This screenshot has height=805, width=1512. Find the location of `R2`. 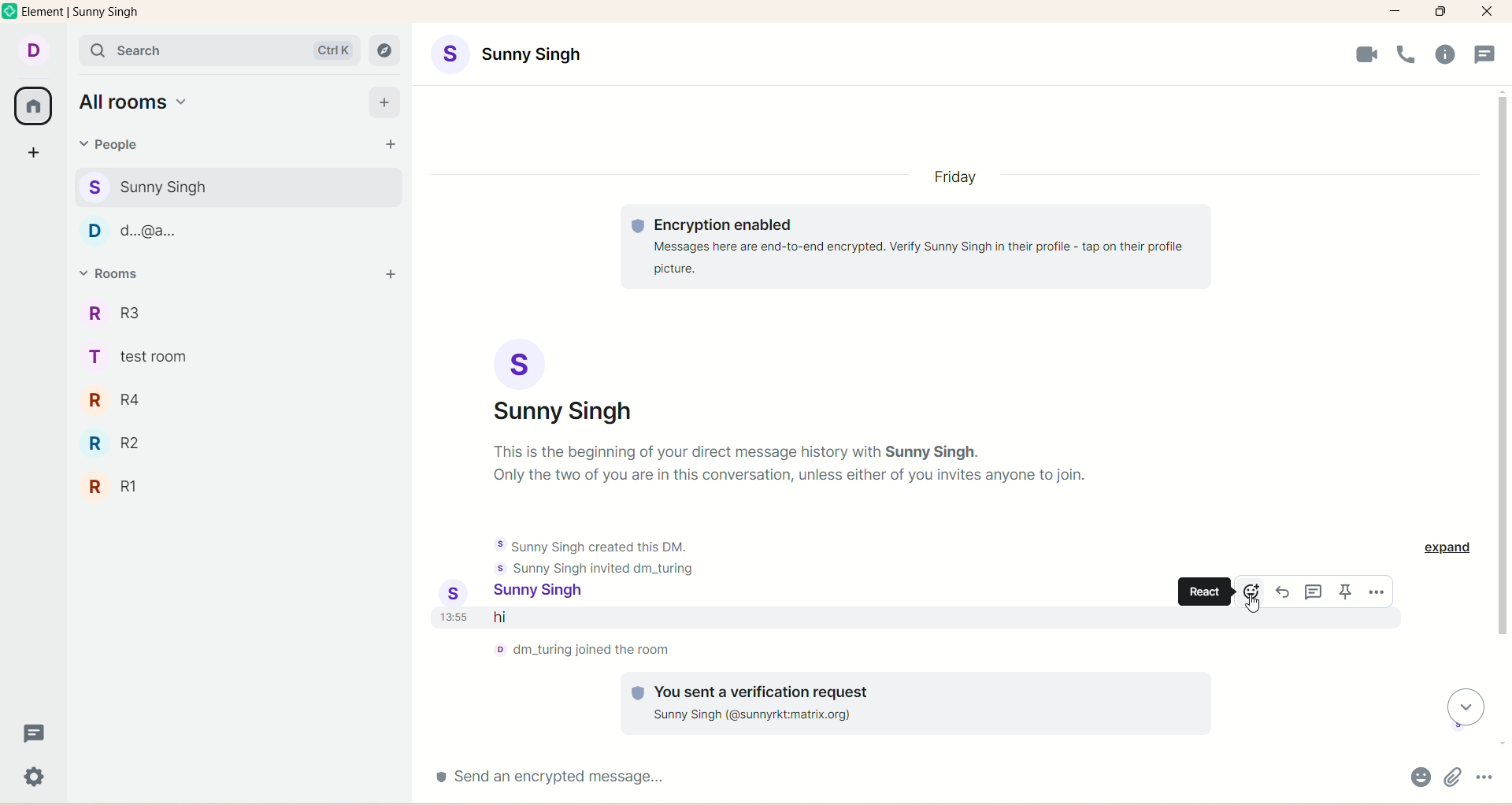

R2 is located at coordinates (122, 443).